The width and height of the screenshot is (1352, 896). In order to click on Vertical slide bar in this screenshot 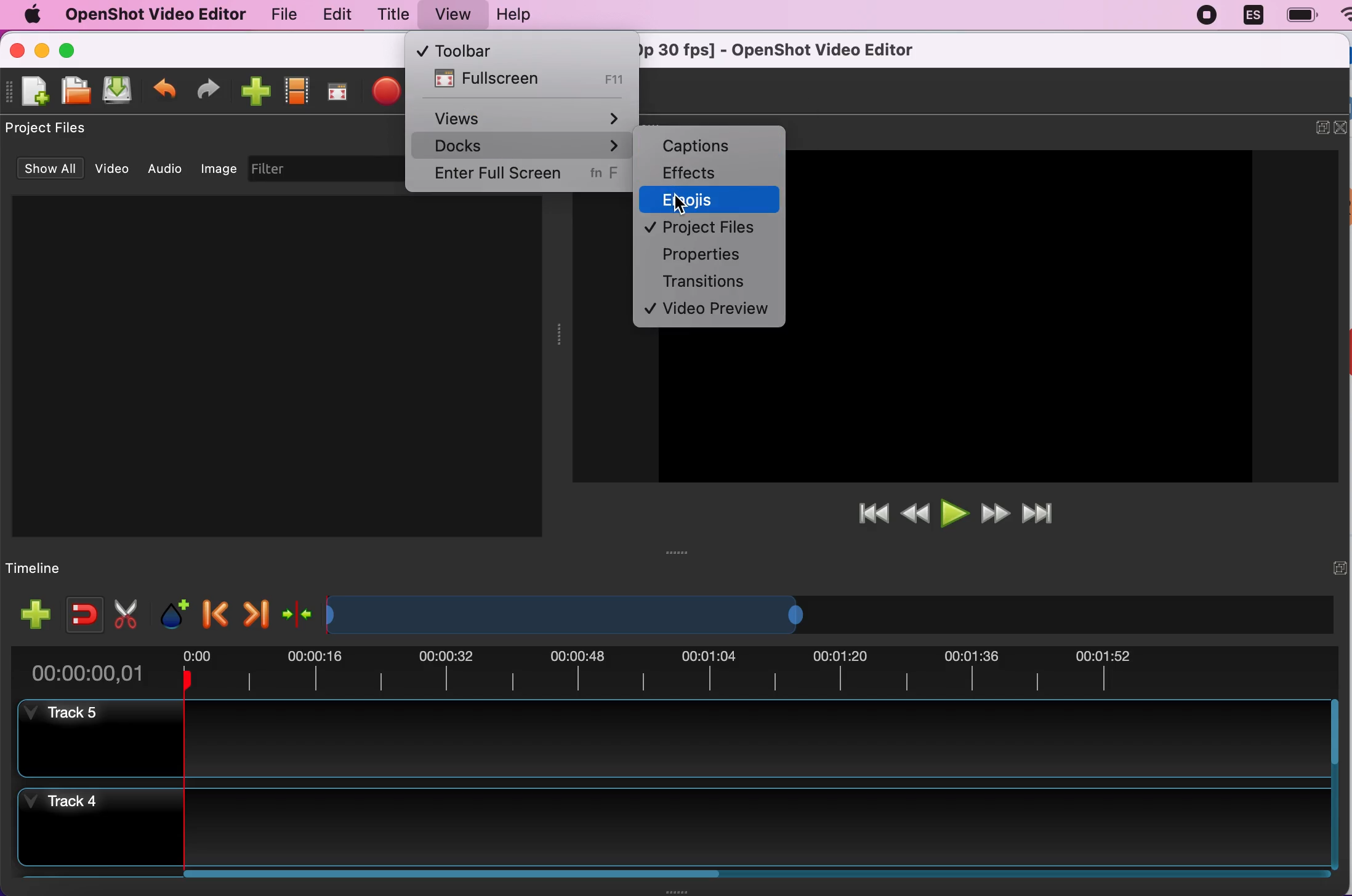, I will do `click(1334, 784)`.